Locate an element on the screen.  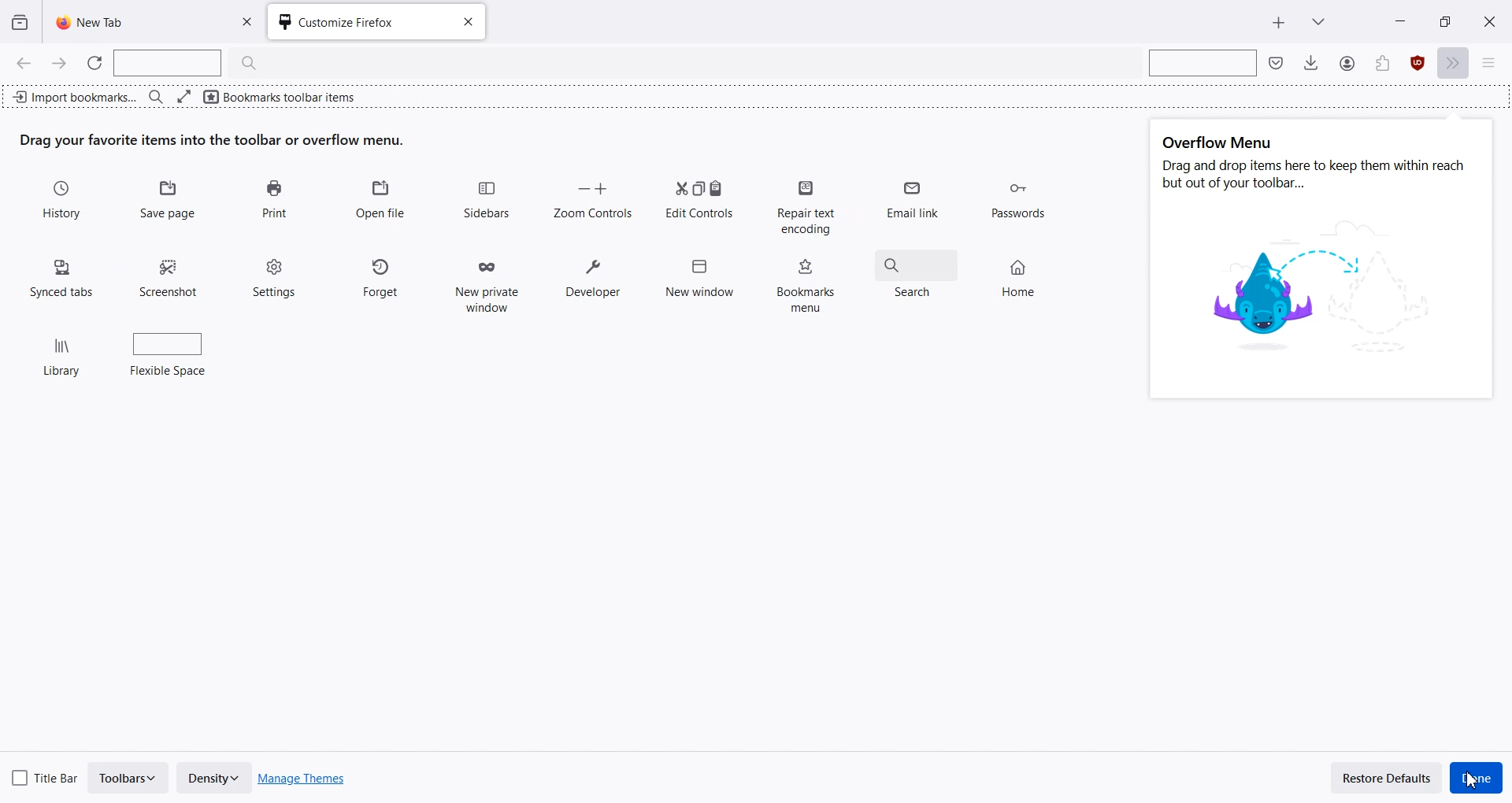
Cursor is located at coordinates (1474, 780).